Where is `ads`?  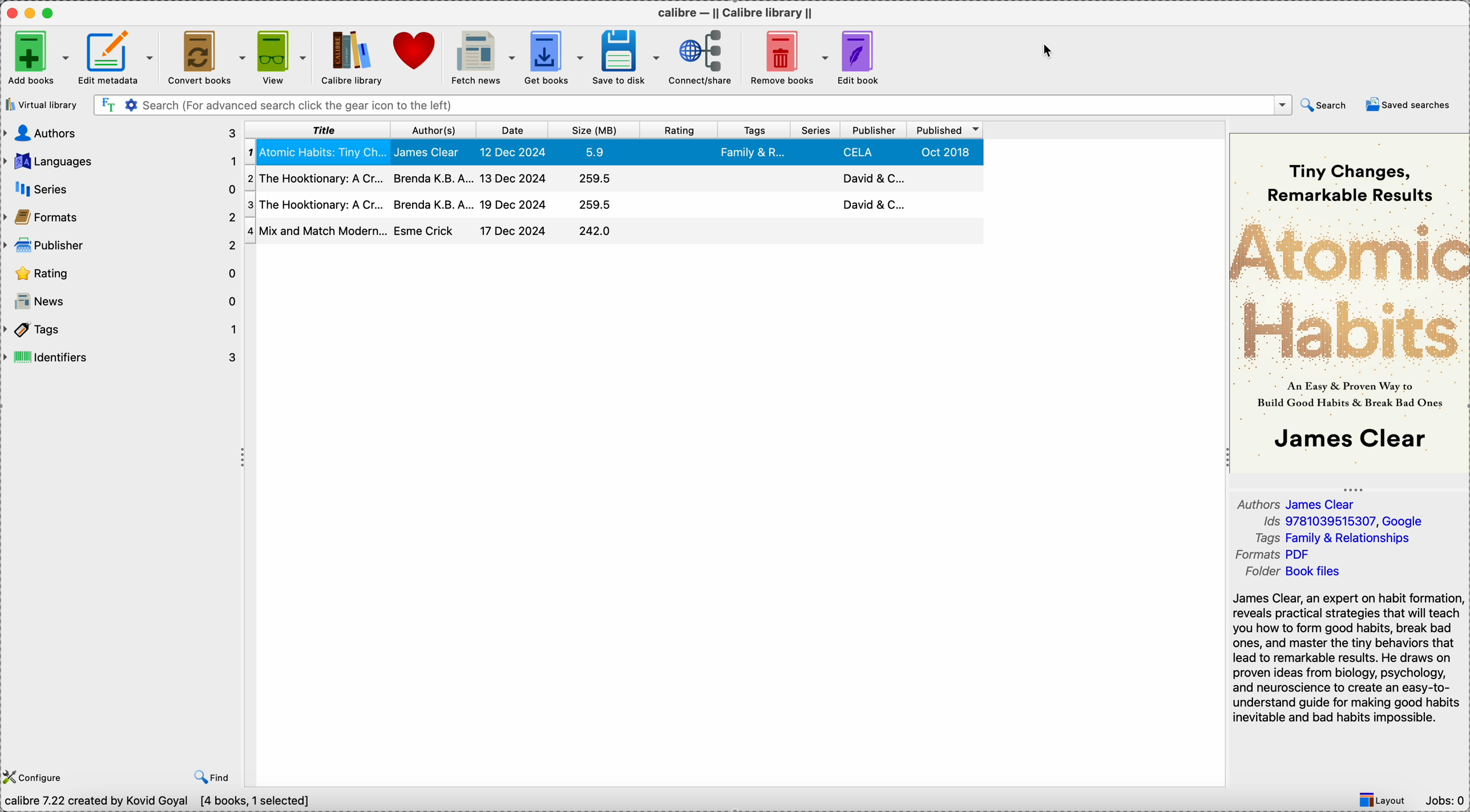
ads is located at coordinates (1342, 522).